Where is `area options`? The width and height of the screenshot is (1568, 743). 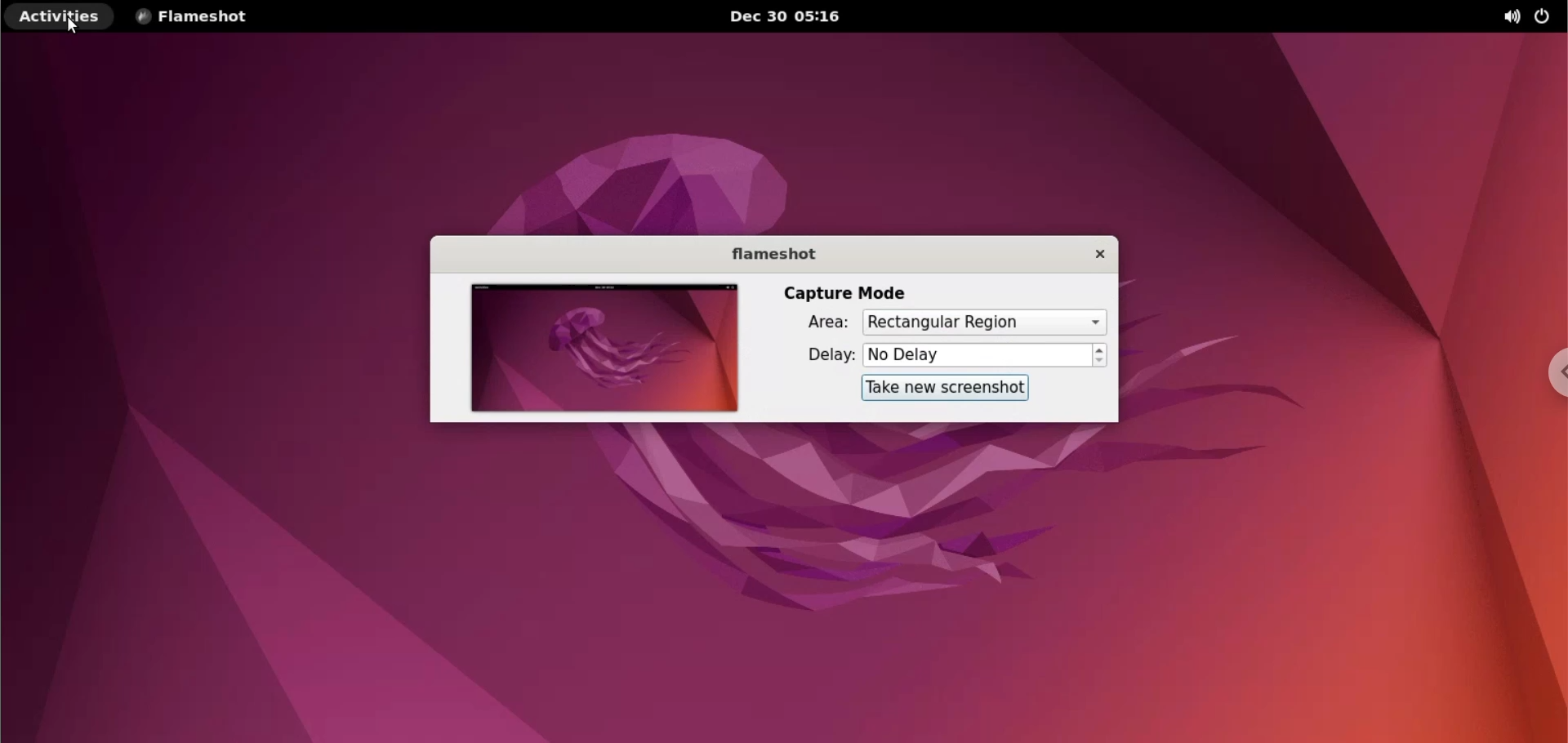 area options is located at coordinates (984, 323).